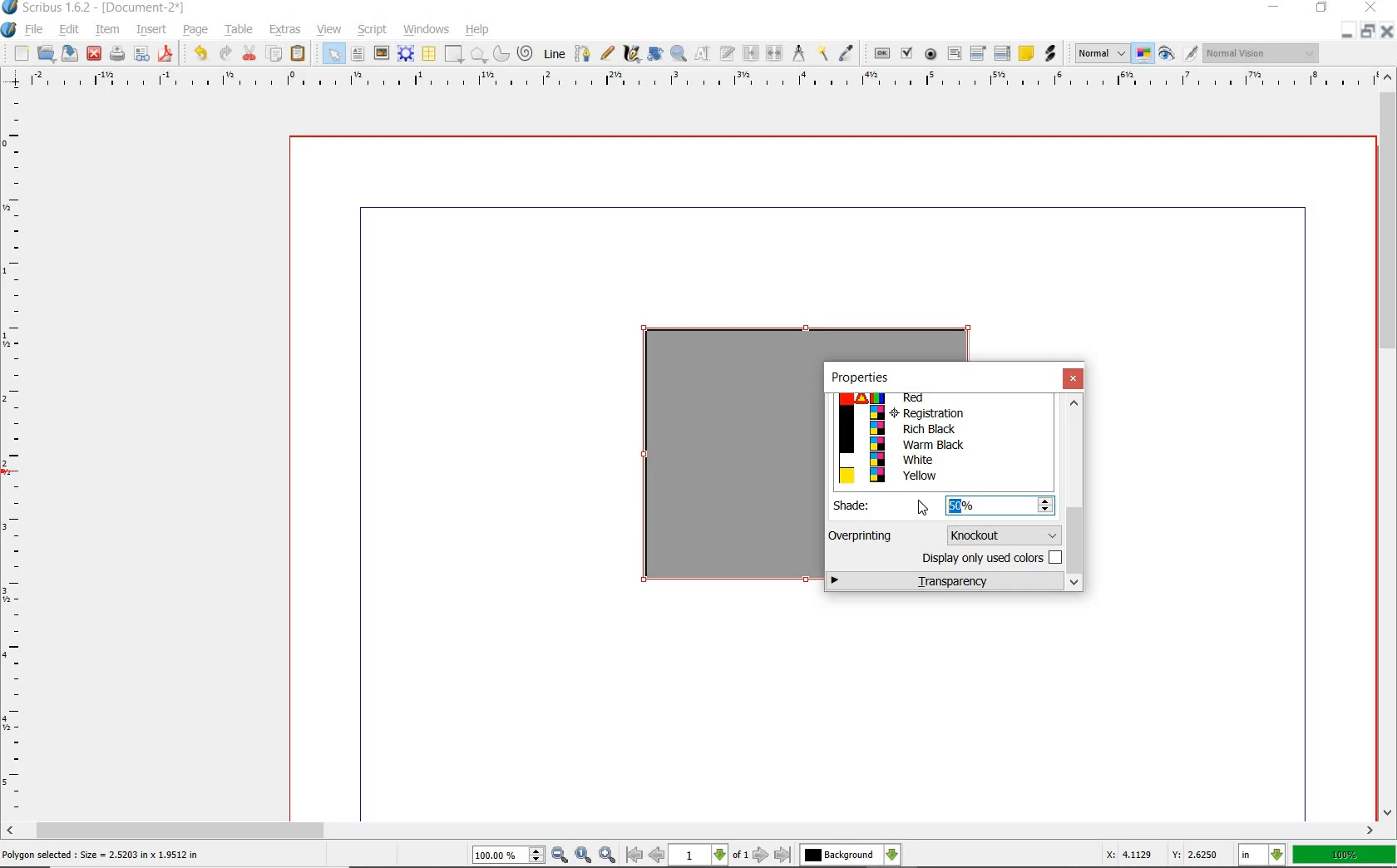  Describe the element at coordinates (880, 55) in the screenshot. I see `pdf push button` at that location.